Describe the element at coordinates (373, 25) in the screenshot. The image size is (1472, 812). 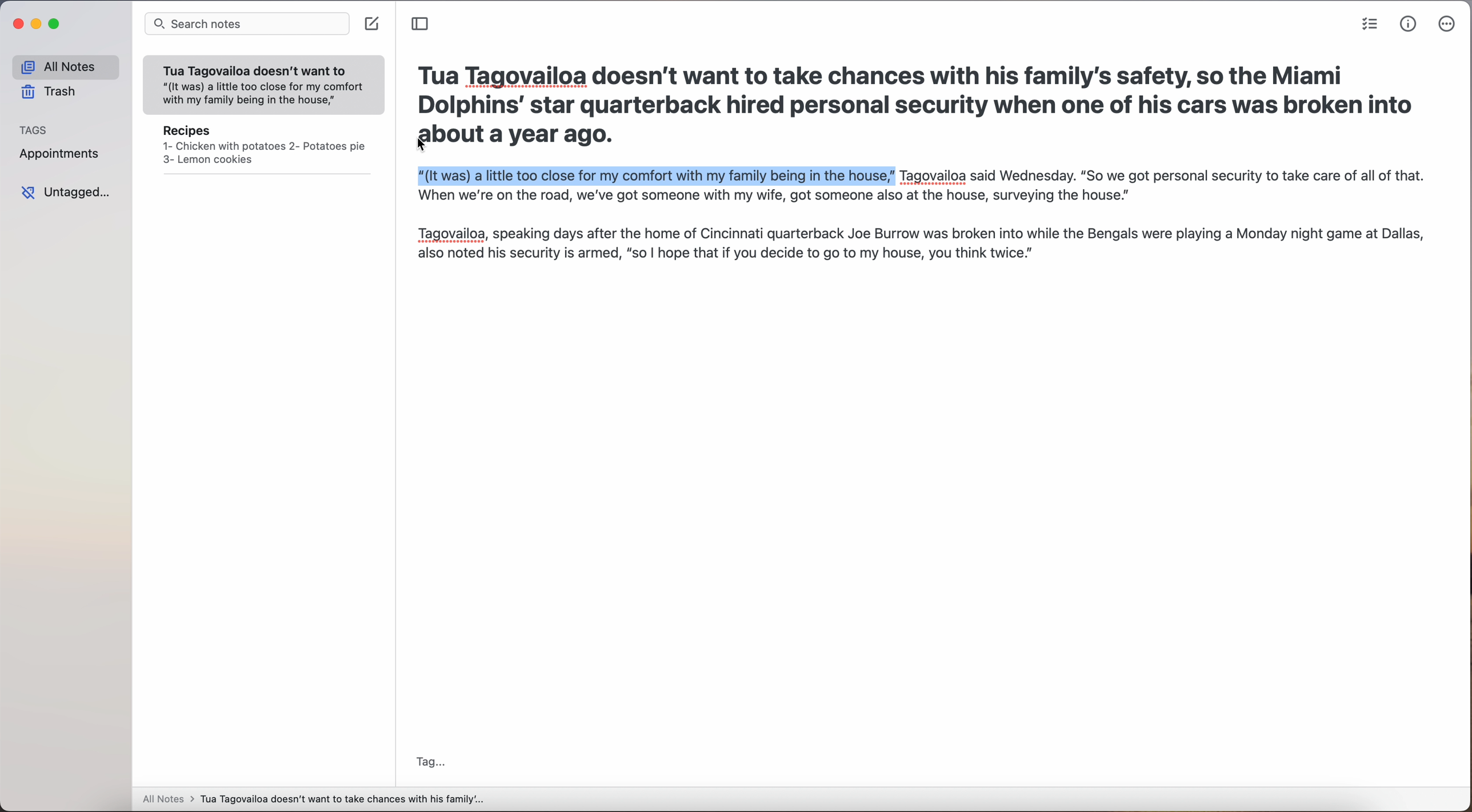
I see `create note` at that location.